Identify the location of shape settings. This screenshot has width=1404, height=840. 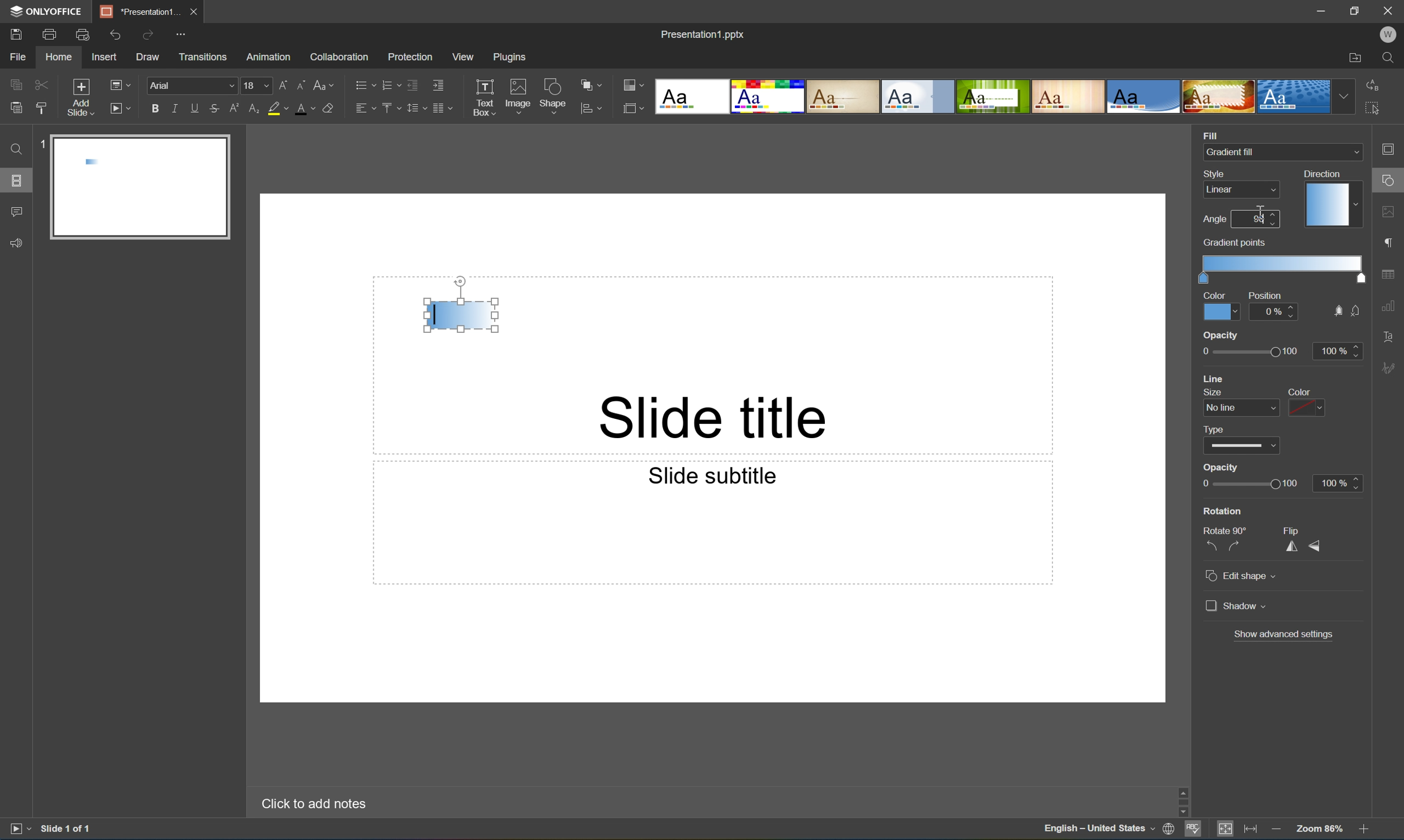
(1390, 181).